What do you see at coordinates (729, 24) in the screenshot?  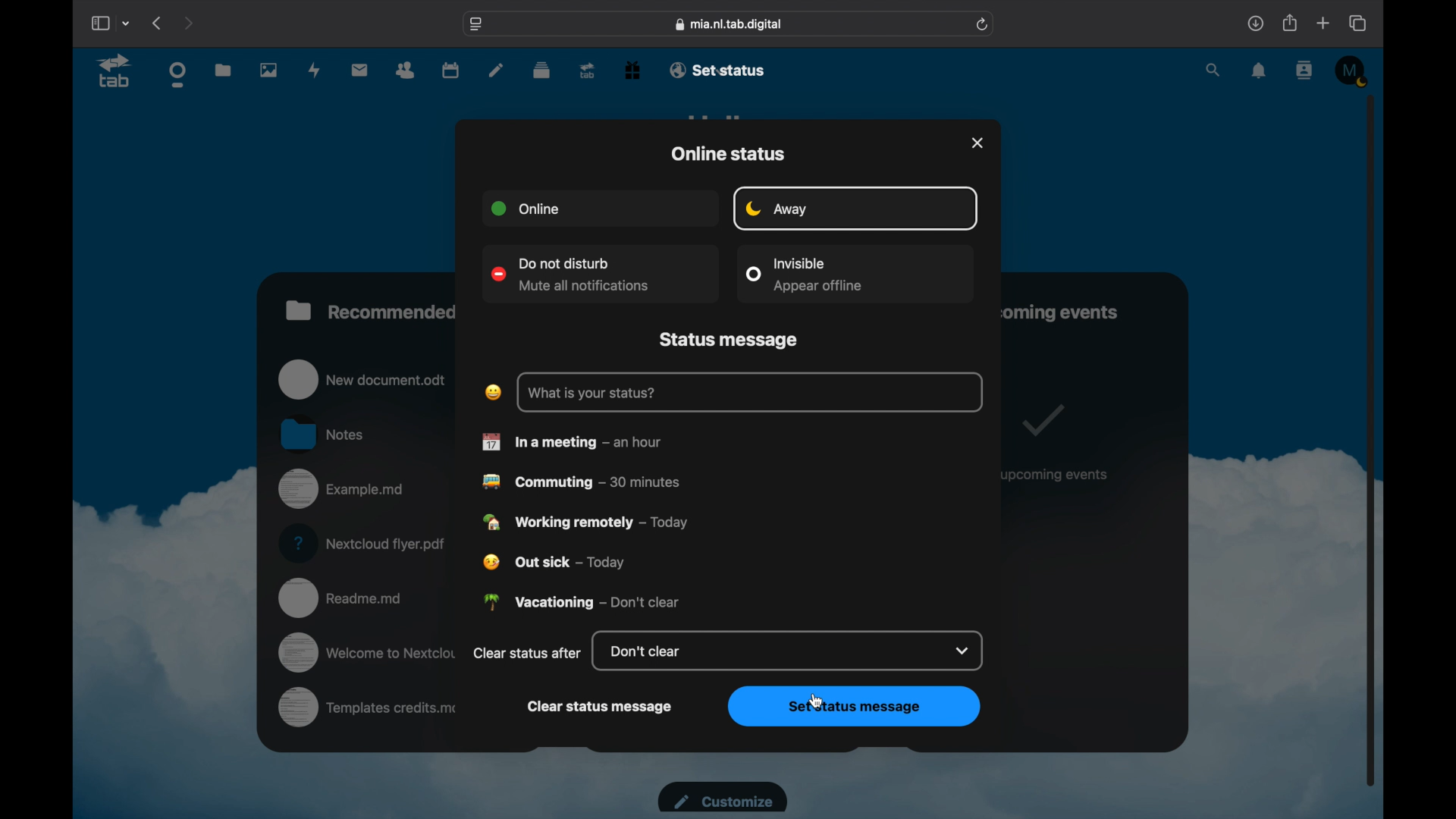 I see `web address` at bounding box center [729, 24].